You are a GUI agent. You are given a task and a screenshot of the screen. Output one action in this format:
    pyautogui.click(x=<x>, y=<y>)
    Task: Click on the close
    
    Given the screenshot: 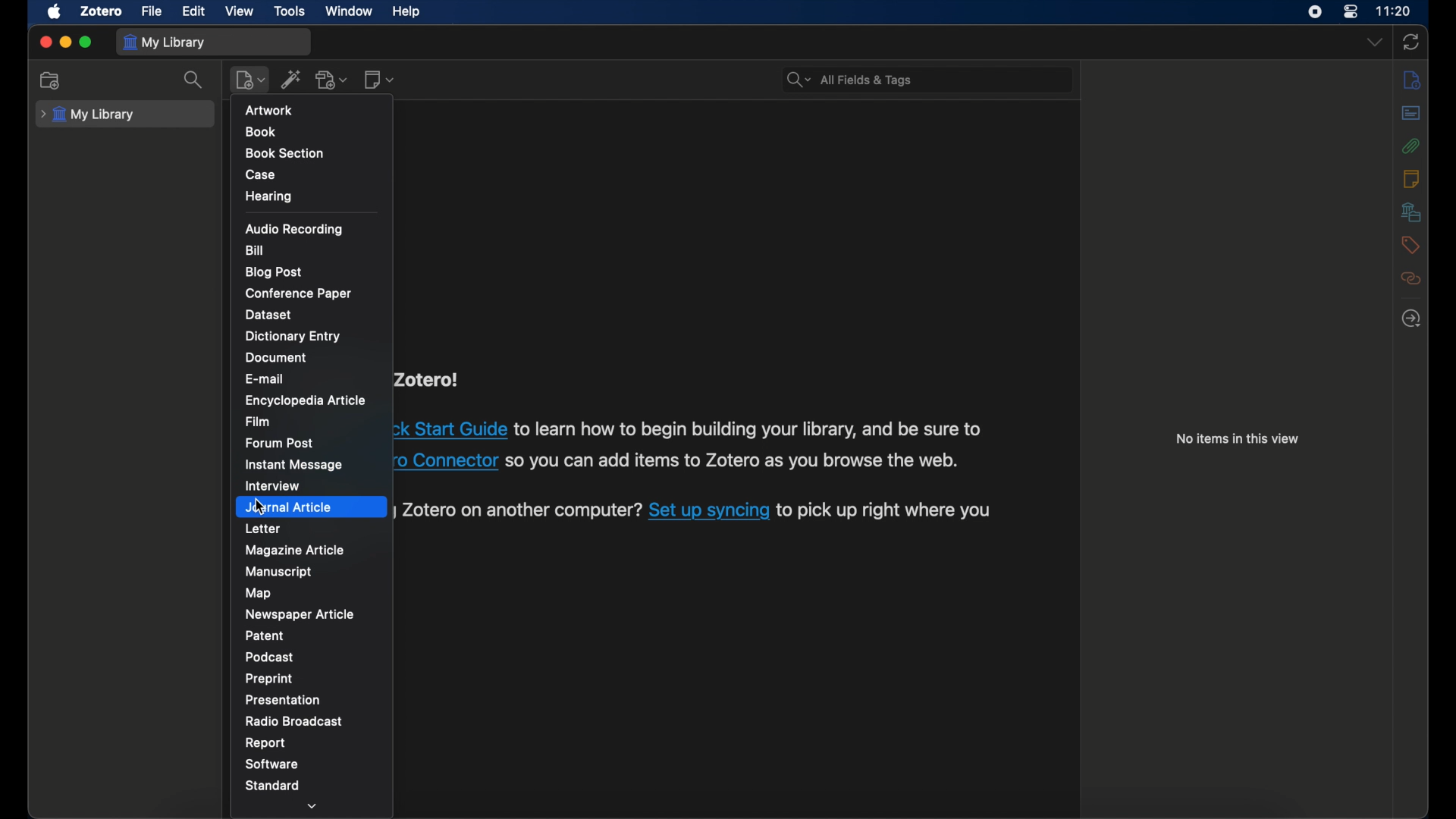 What is the action you would take?
    pyautogui.click(x=45, y=42)
    